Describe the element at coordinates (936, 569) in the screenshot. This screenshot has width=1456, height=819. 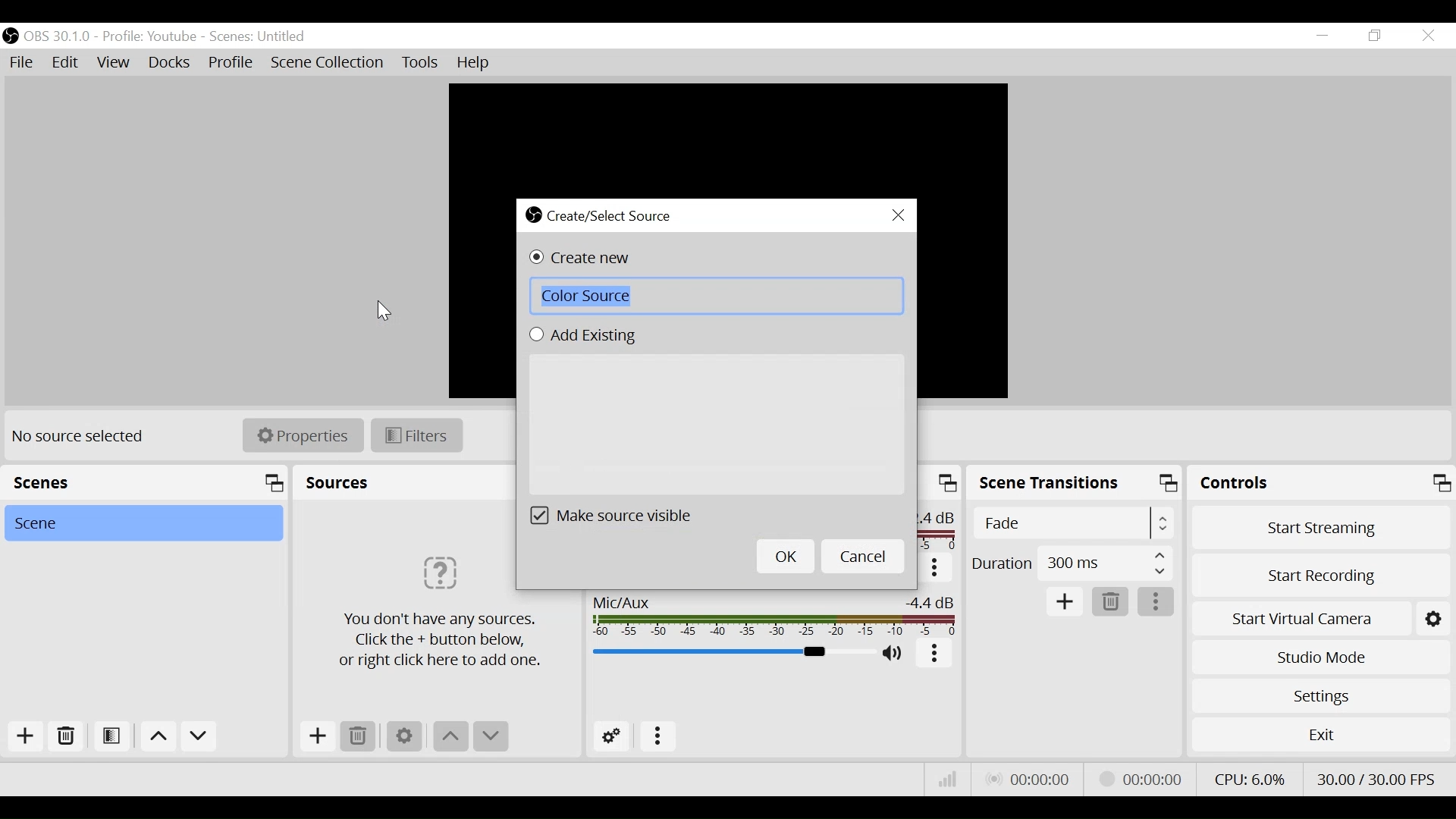
I see `more options` at that location.